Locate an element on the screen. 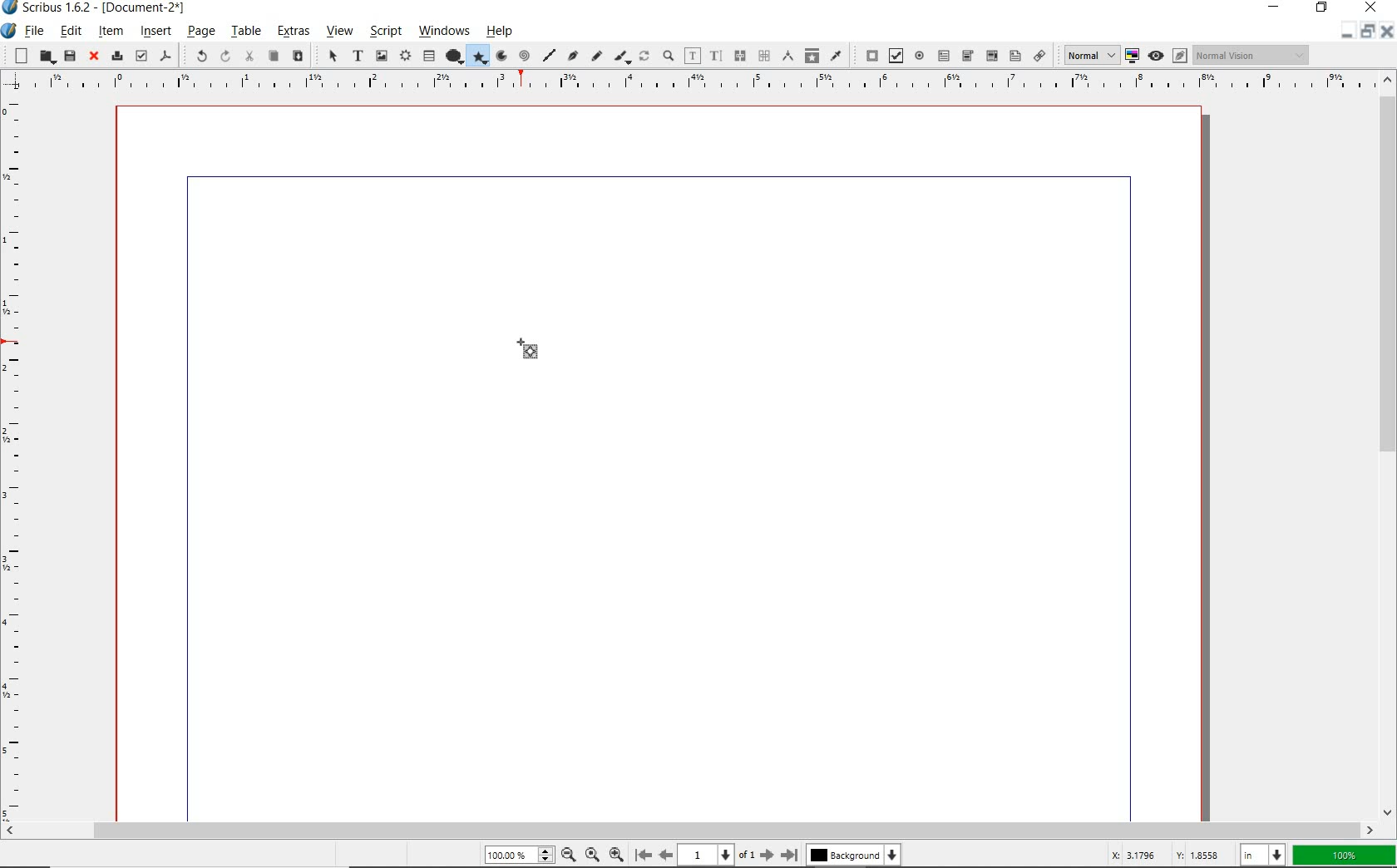  image frame is located at coordinates (380, 55).